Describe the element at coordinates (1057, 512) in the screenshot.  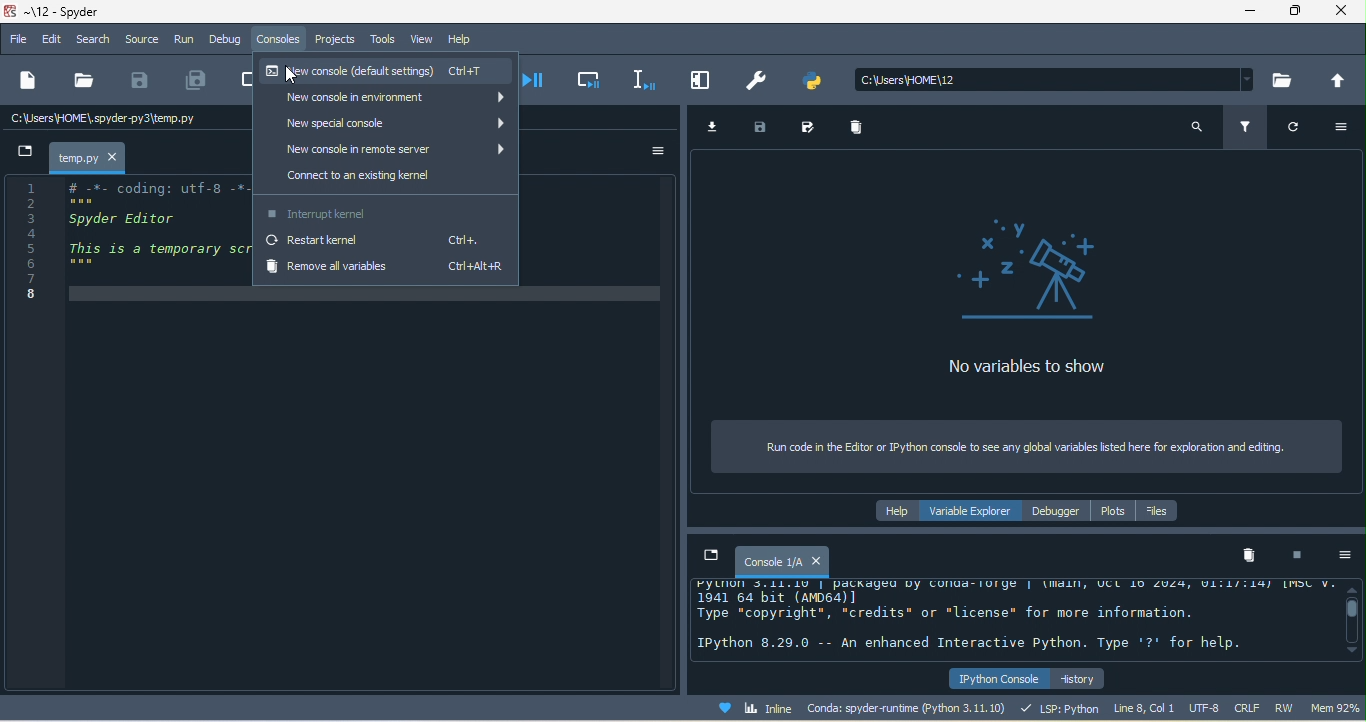
I see `debugger` at that location.